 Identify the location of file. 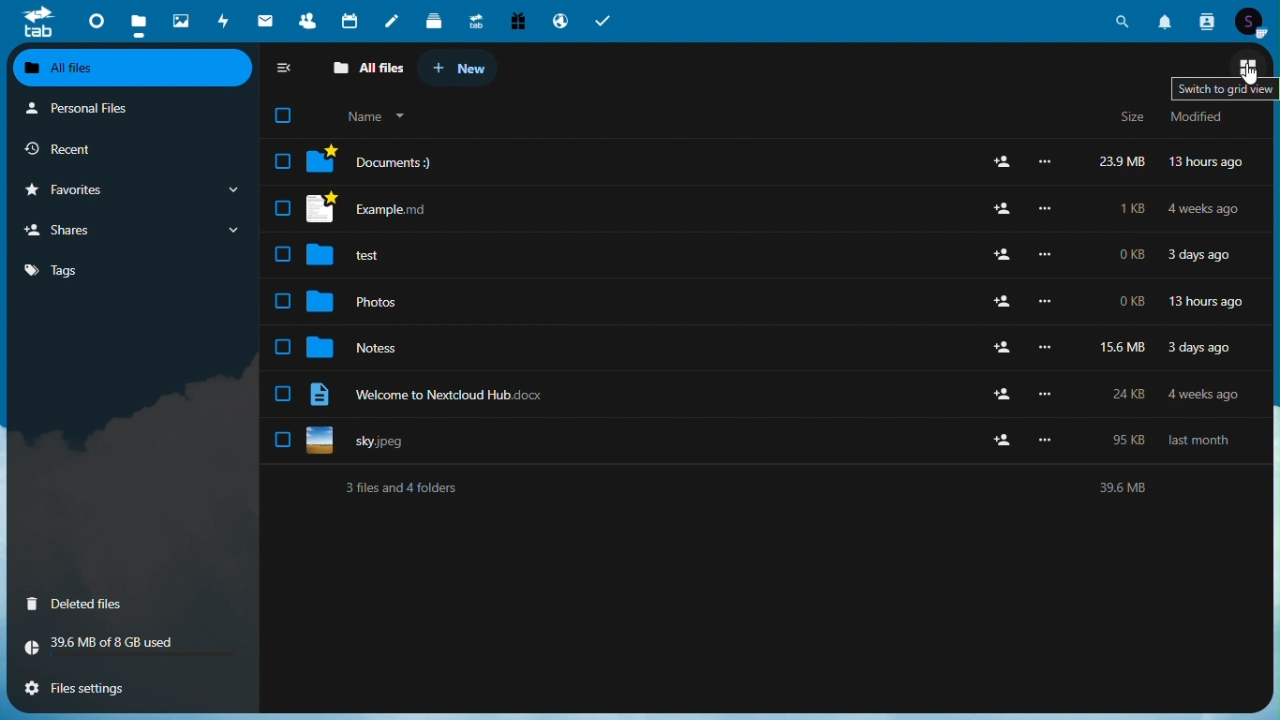
(323, 208).